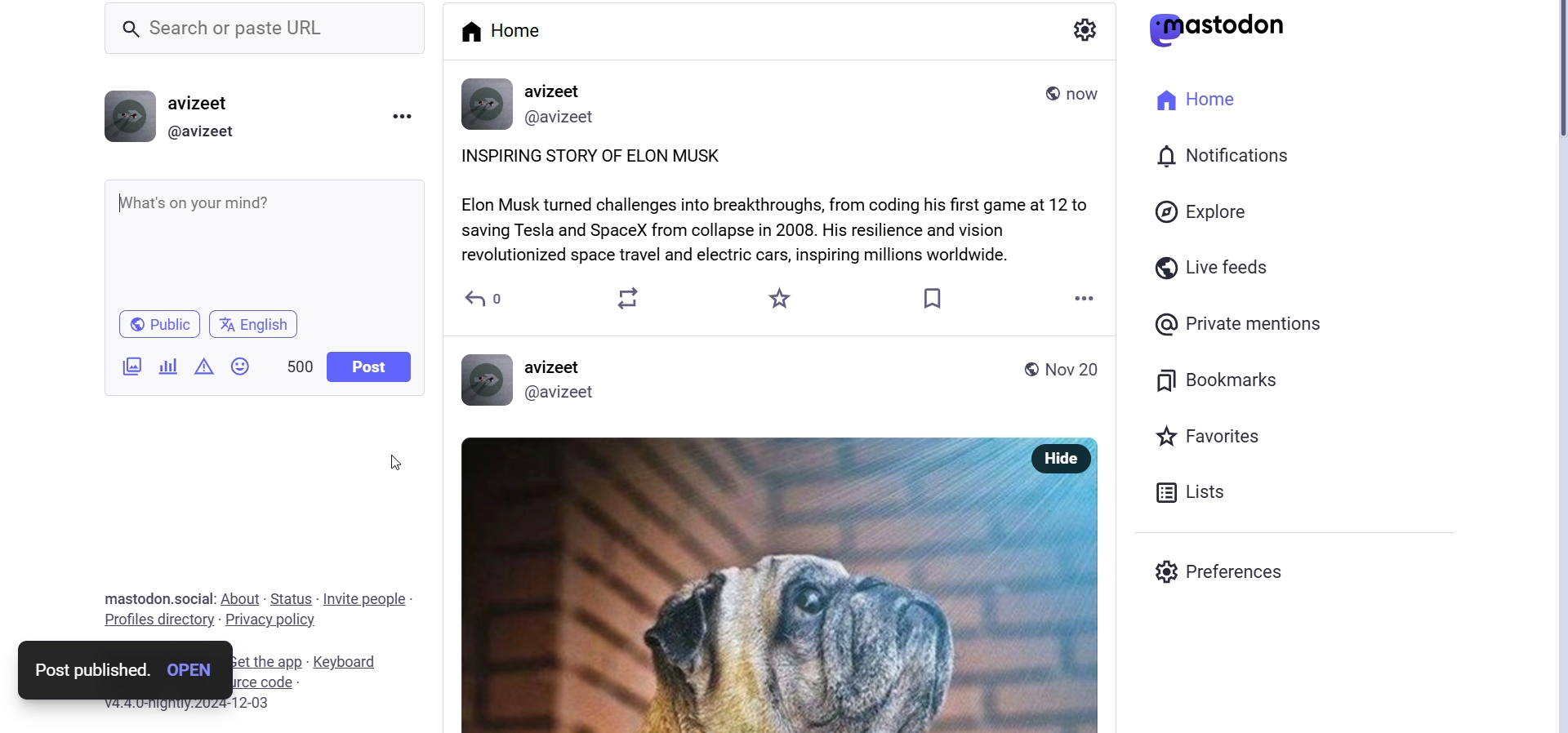 The width and height of the screenshot is (1568, 733). I want to click on menu, so click(399, 115).